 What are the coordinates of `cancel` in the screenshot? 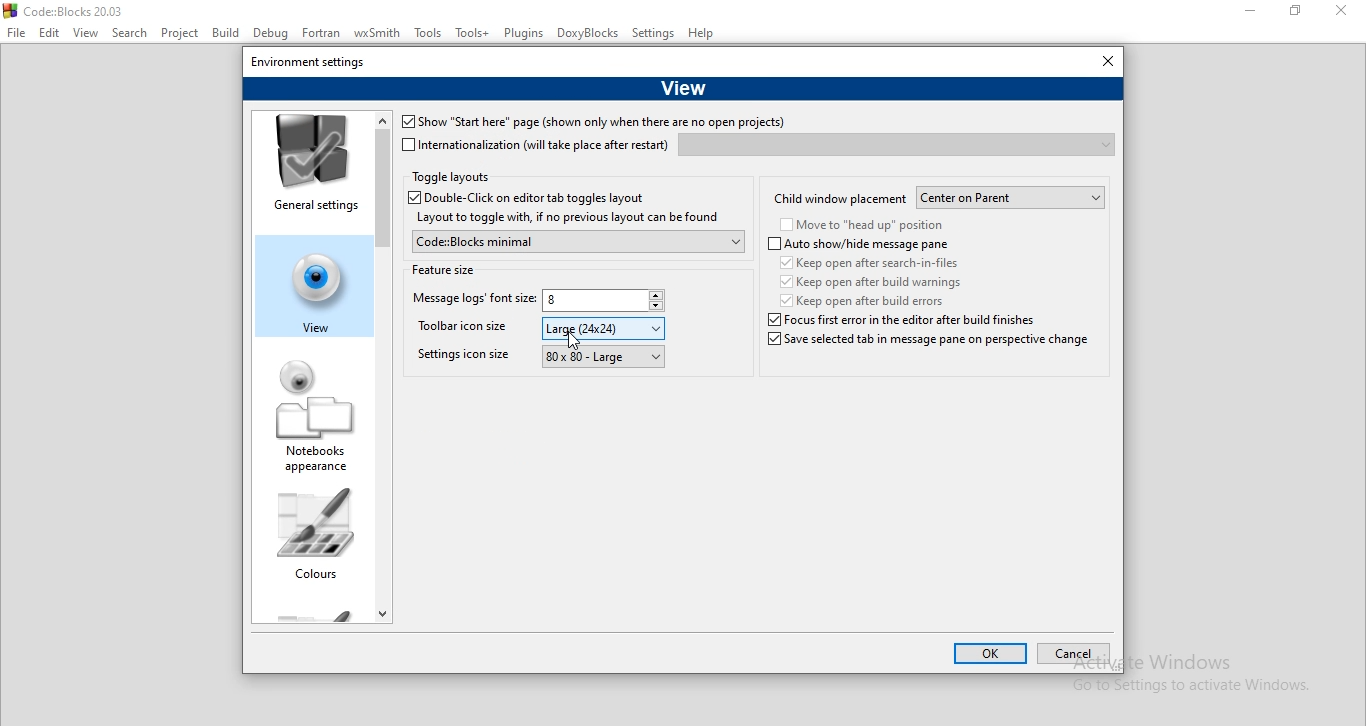 It's located at (1072, 655).